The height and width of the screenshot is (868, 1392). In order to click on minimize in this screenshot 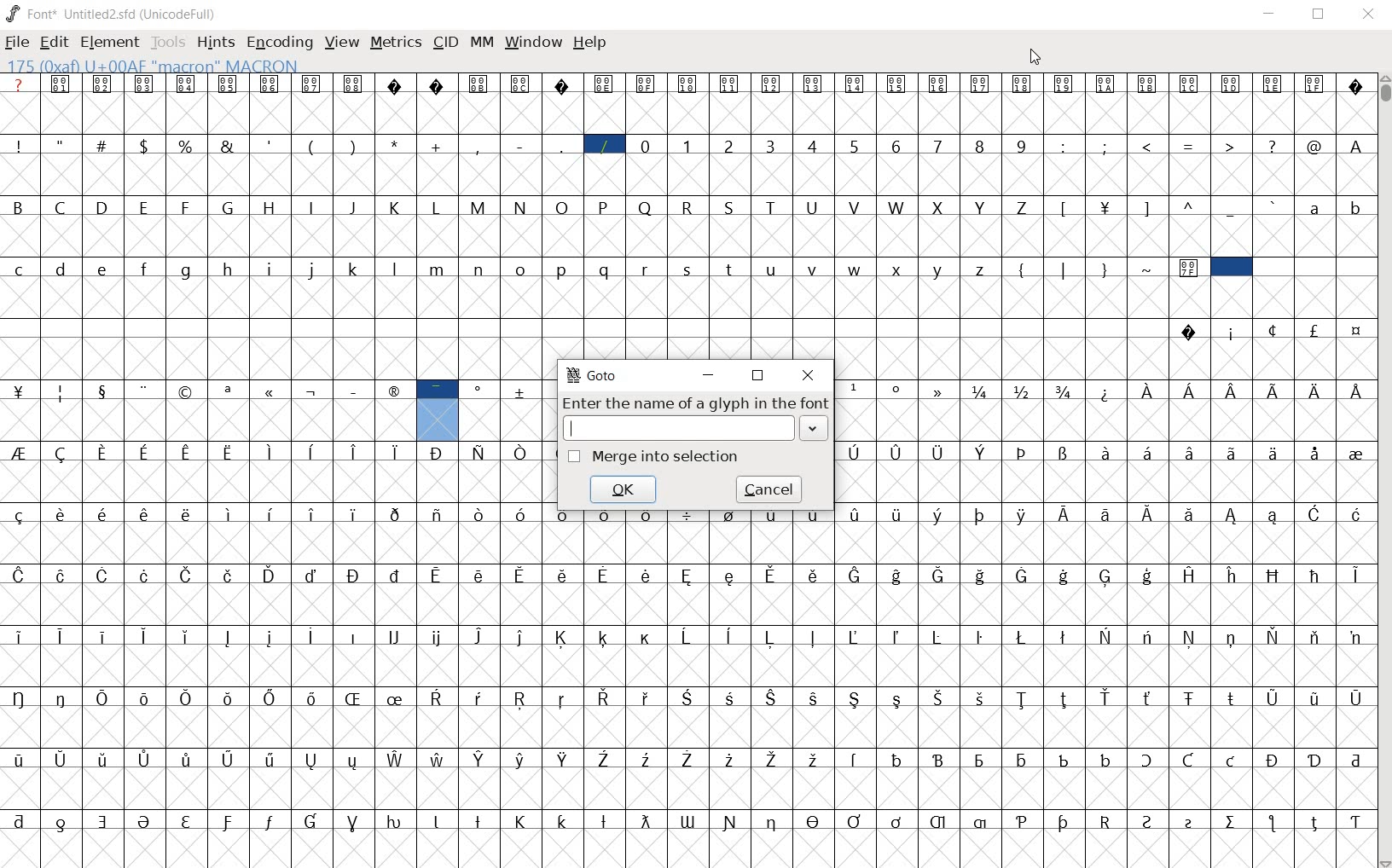, I will do `click(710, 376)`.